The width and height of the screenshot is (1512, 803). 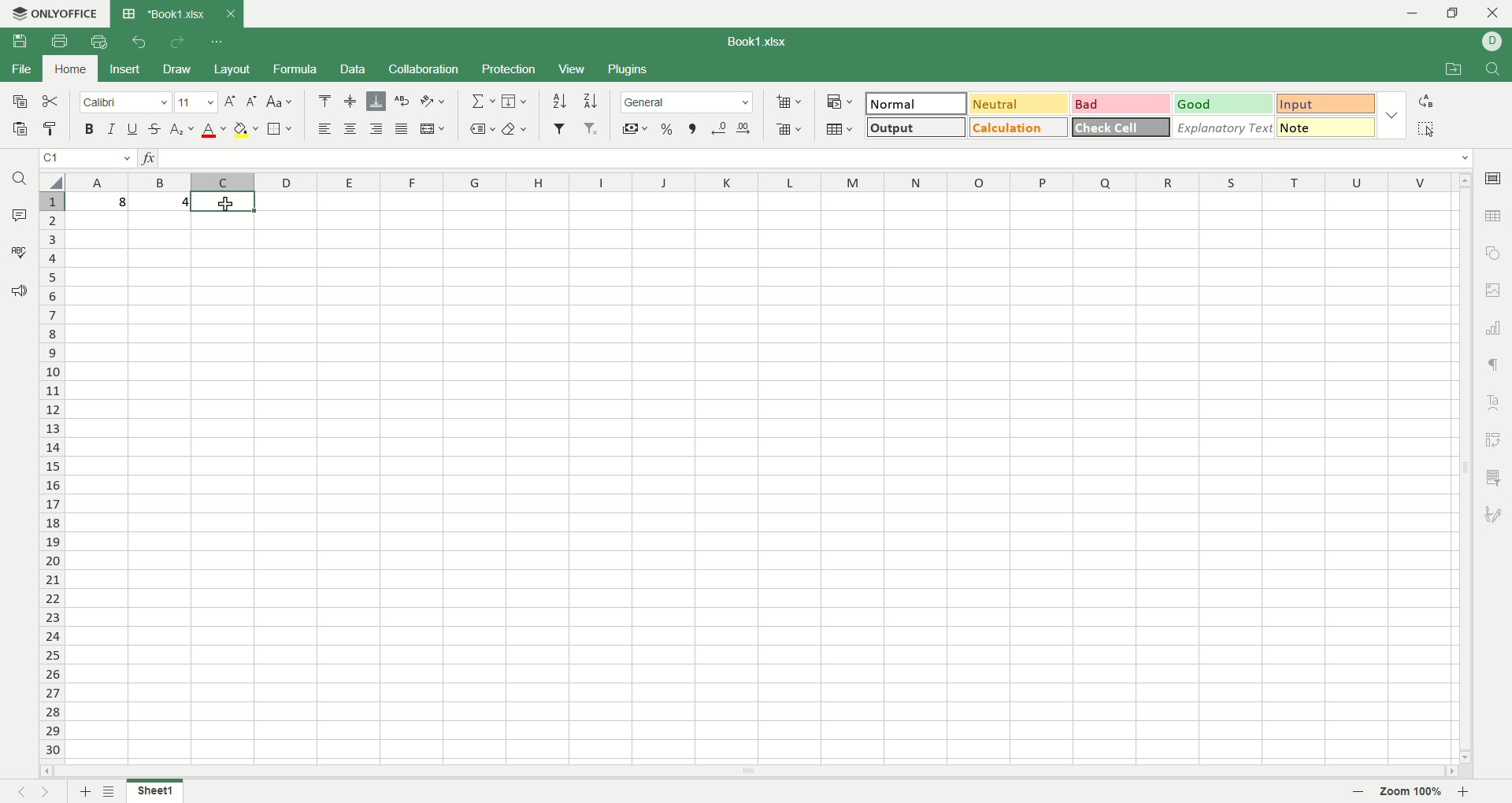 I want to click on new sheet, so click(x=83, y=792).